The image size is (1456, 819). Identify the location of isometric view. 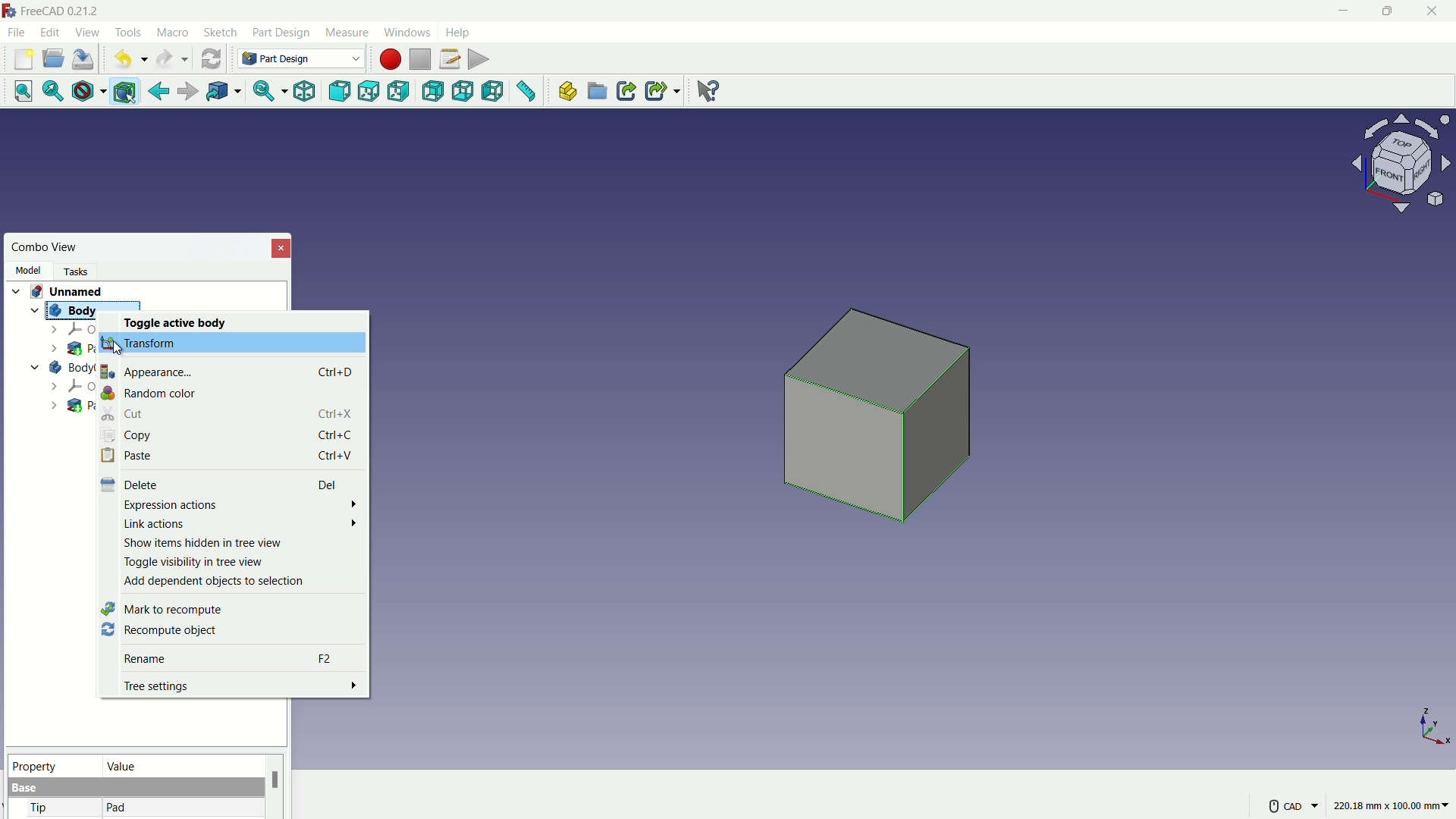
(304, 93).